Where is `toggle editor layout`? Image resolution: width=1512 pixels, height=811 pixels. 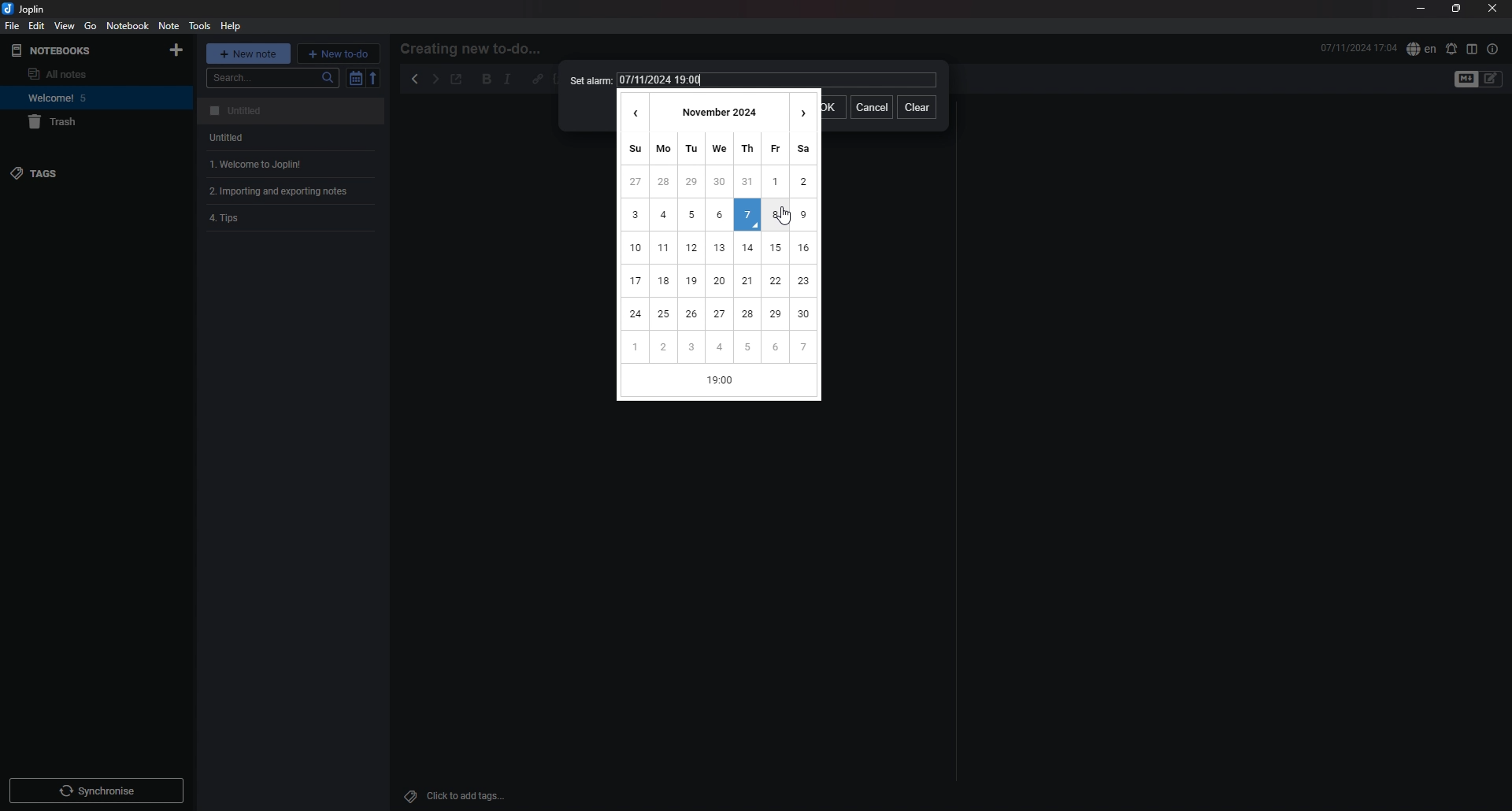 toggle editor layout is located at coordinates (1472, 49).